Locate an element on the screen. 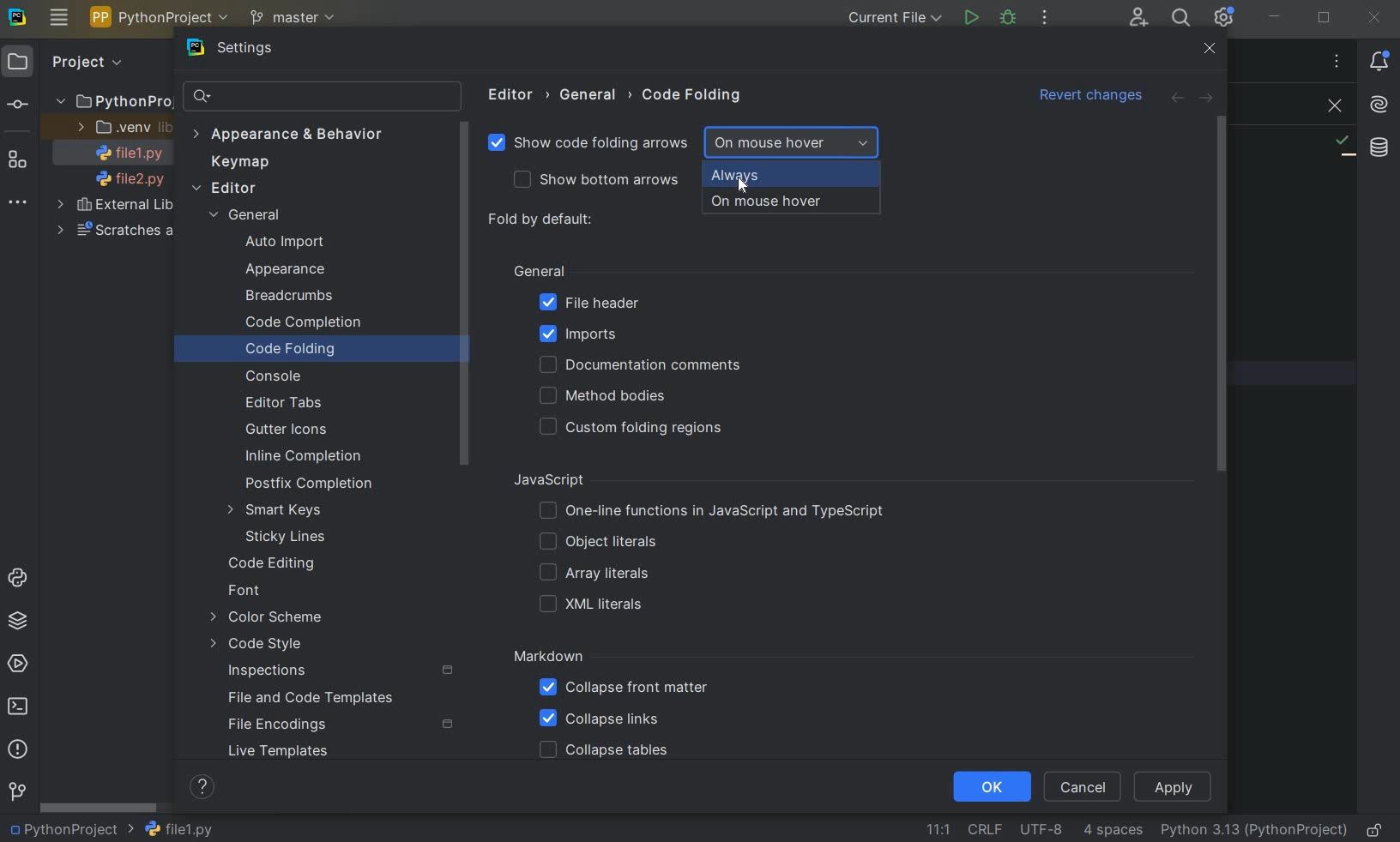 Image resolution: width=1400 pixels, height=842 pixels. CLOSE is located at coordinates (1378, 16).